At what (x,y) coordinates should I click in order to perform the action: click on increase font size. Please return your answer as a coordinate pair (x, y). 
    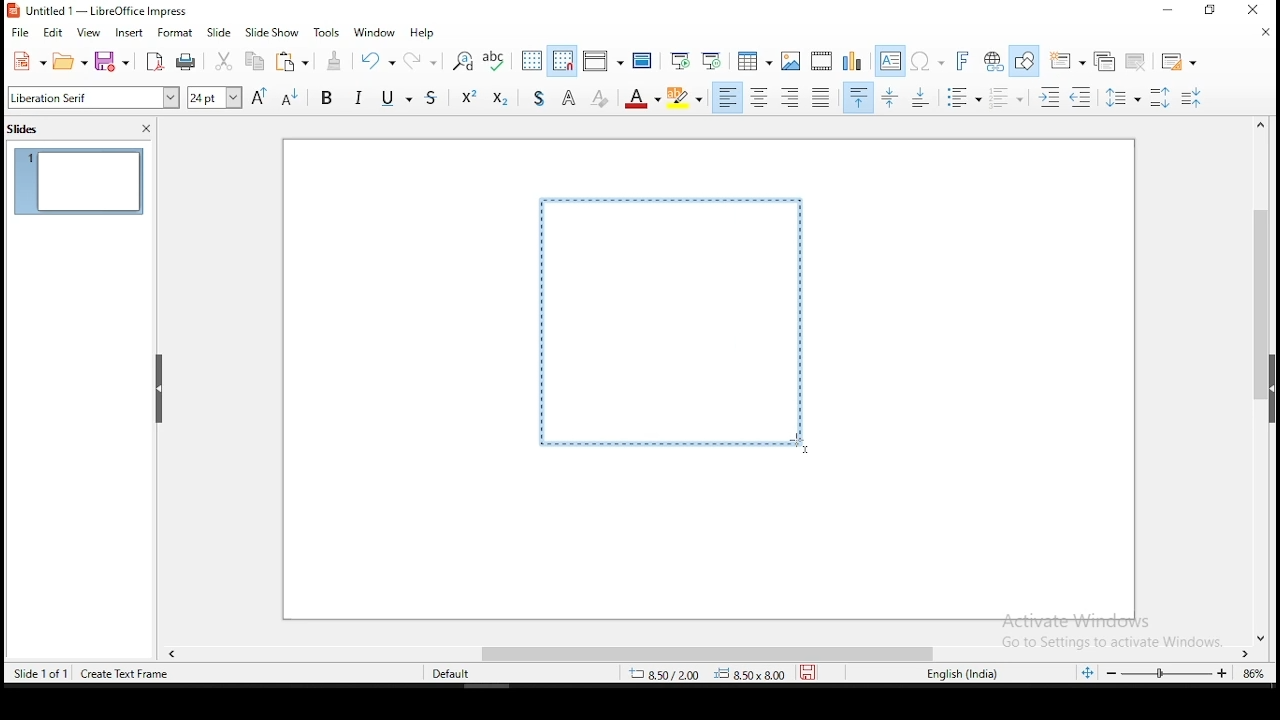
    Looking at the image, I should click on (259, 97).